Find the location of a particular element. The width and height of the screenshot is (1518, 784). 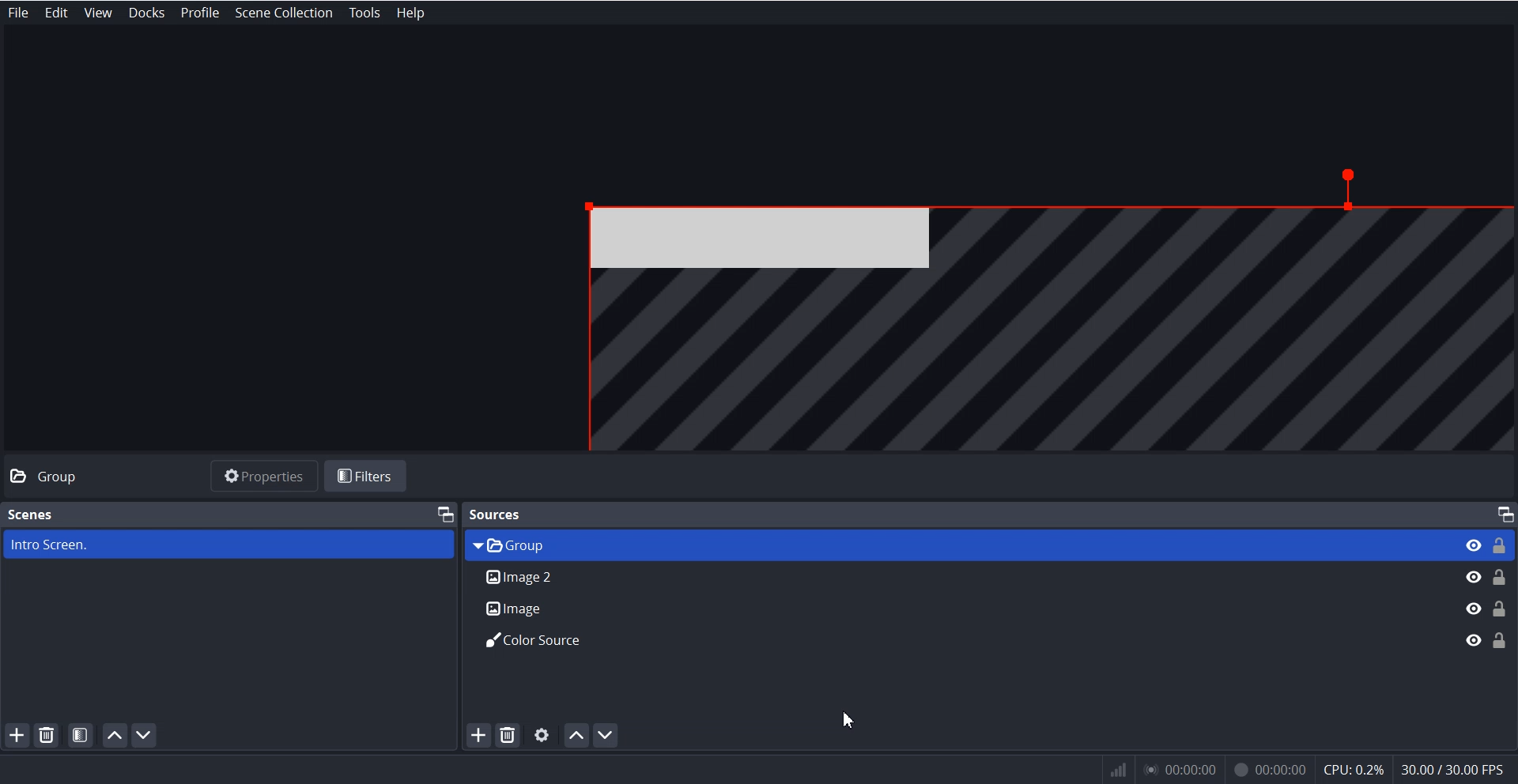

30.007 30.00 EPs is located at coordinates (1458, 768).